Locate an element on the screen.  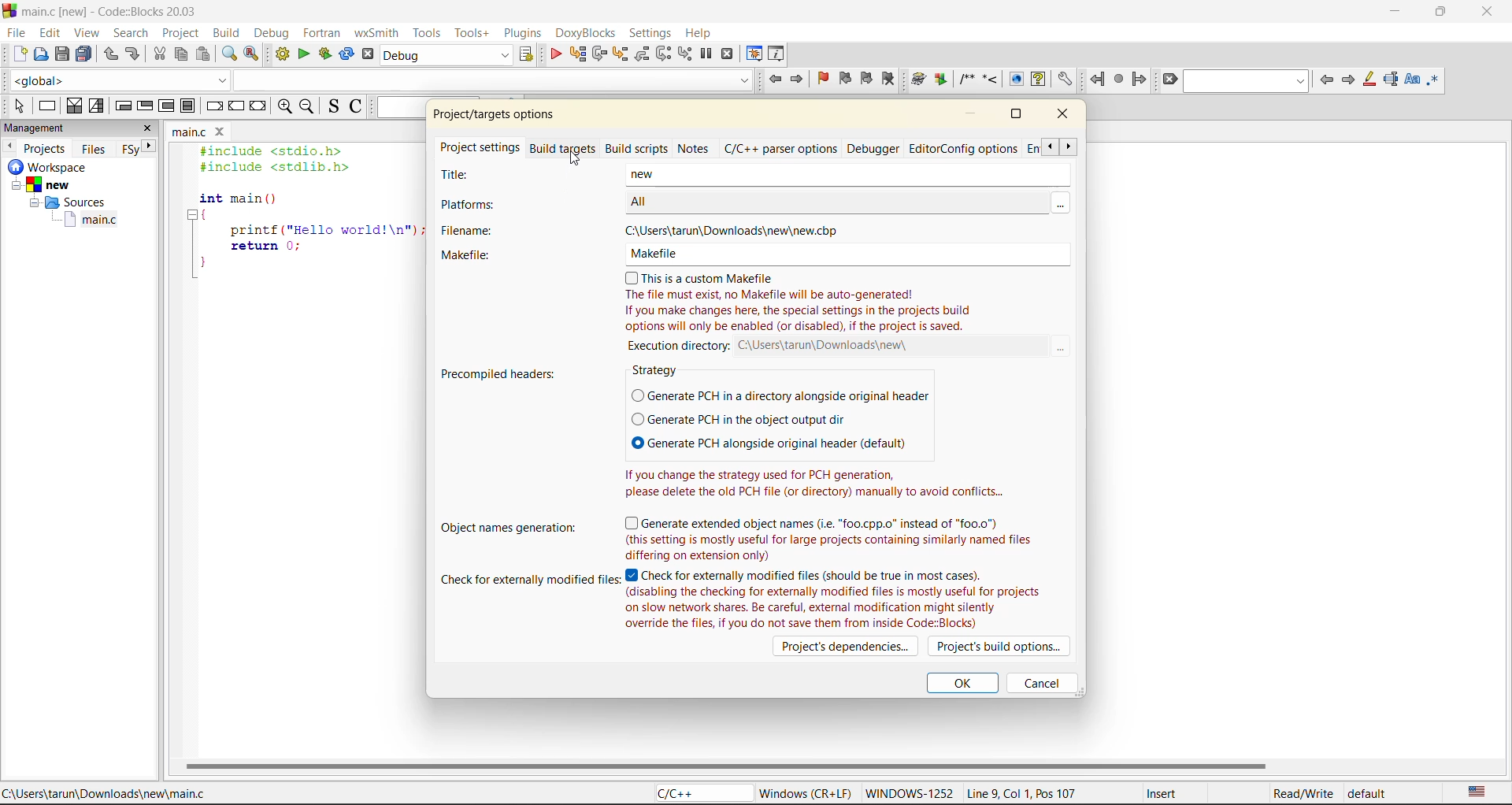
(7) This is a custom Makefile is located at coordinates (721, 276).